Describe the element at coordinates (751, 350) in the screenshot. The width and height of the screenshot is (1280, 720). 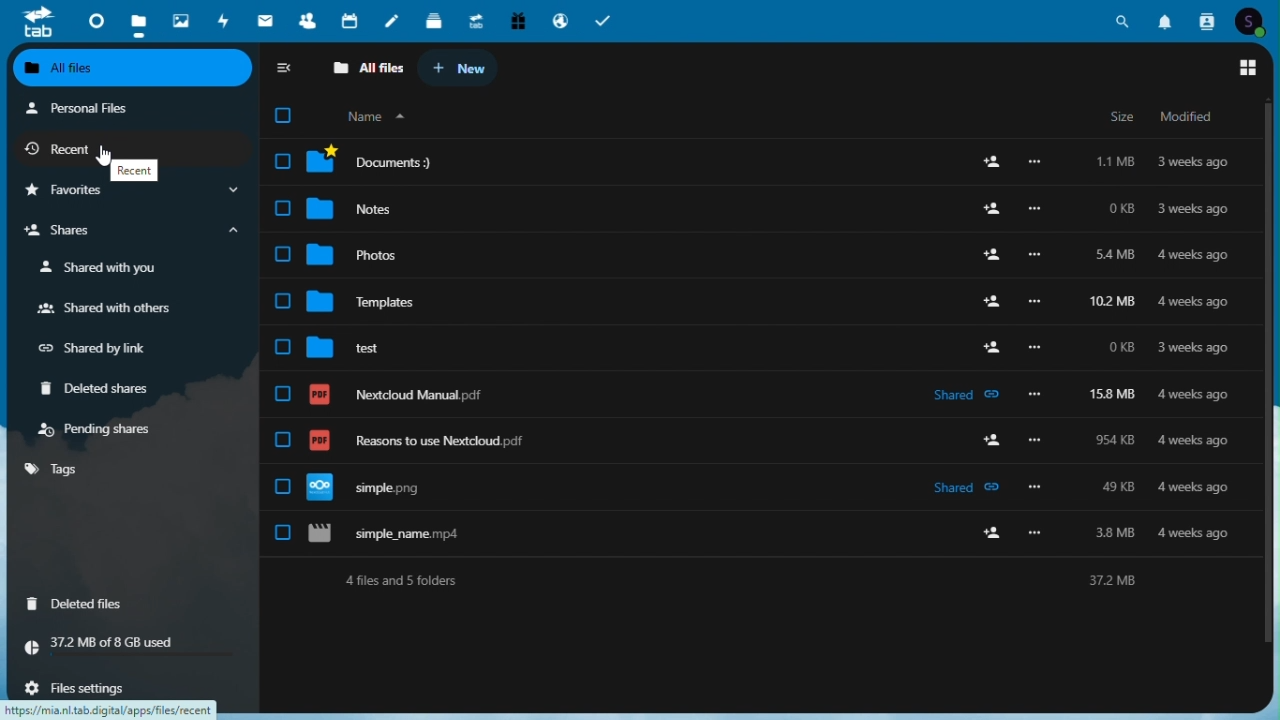
I see `test` at that location.